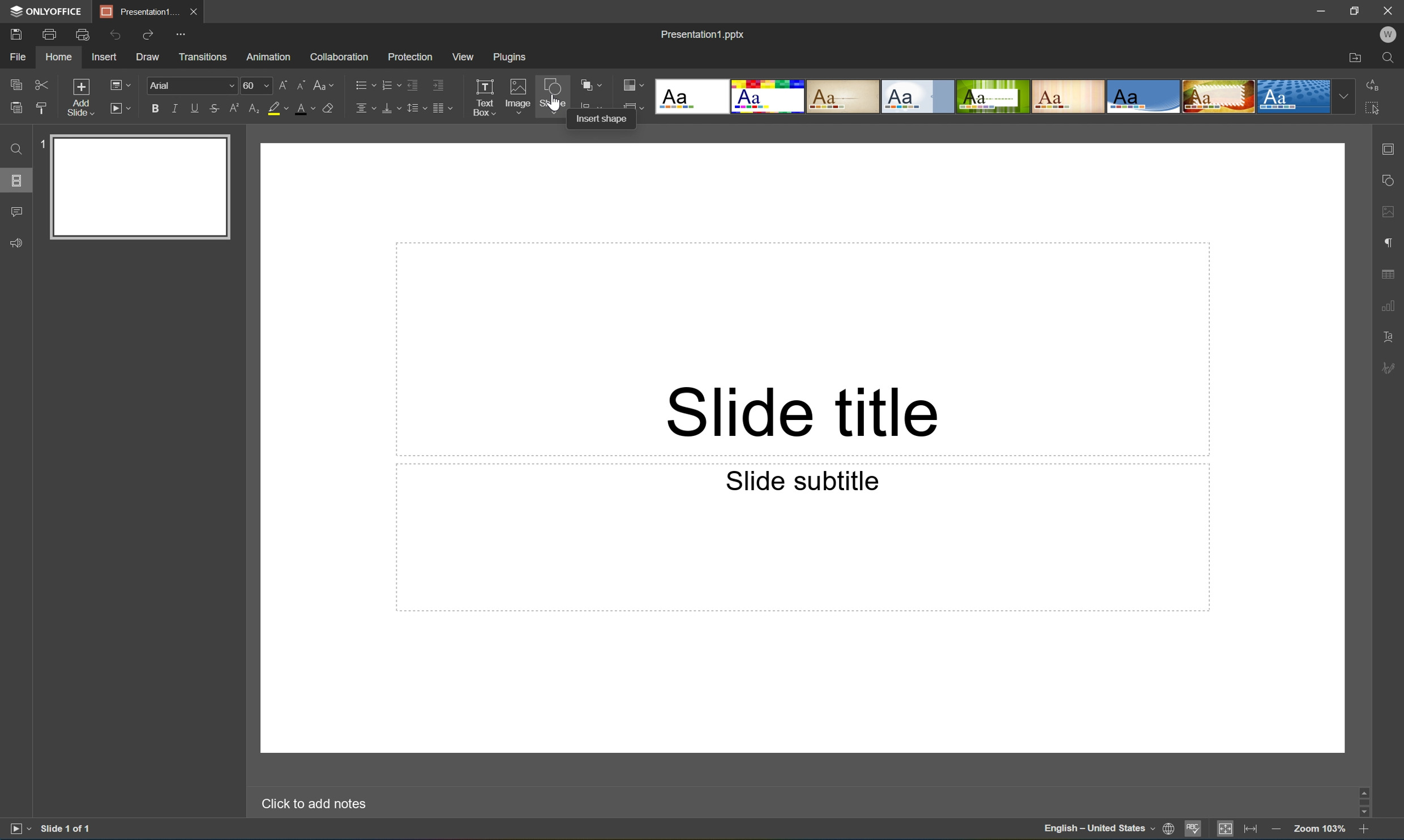 The height and width of the screenshot is (840, 1404). Describe the element at coordinates (21, 58) in the screenshot. I see `File` at that location.